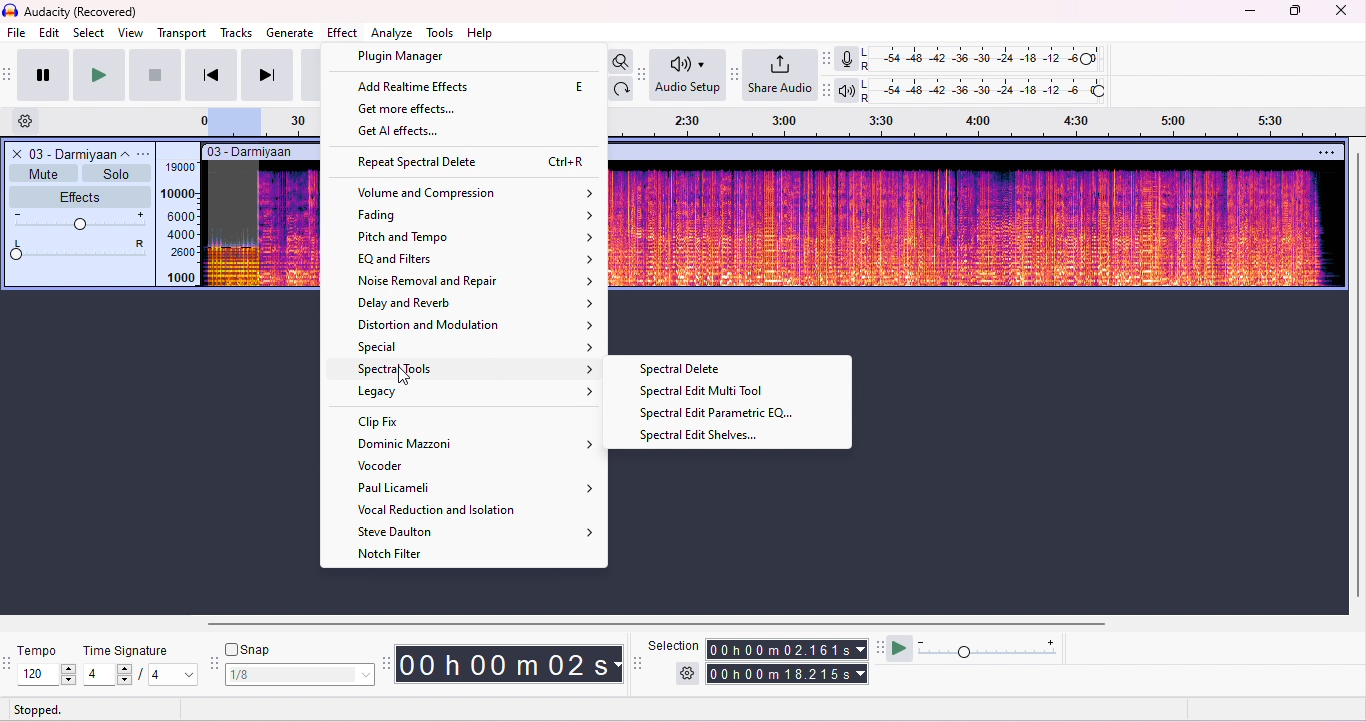  I want to click on volume and compression, so click(477, 193).